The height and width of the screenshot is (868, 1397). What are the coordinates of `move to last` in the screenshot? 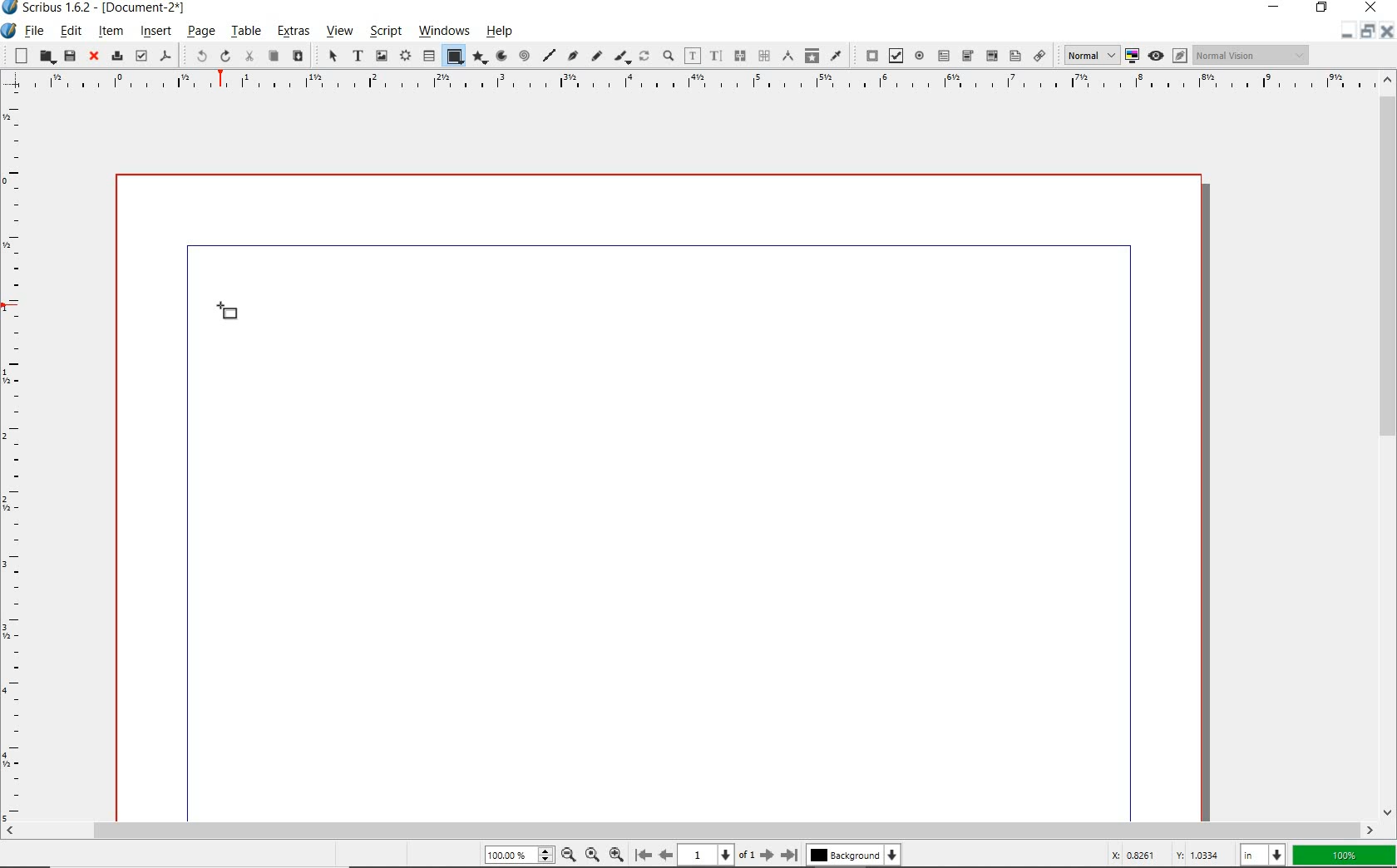 It's located at (792, 852).